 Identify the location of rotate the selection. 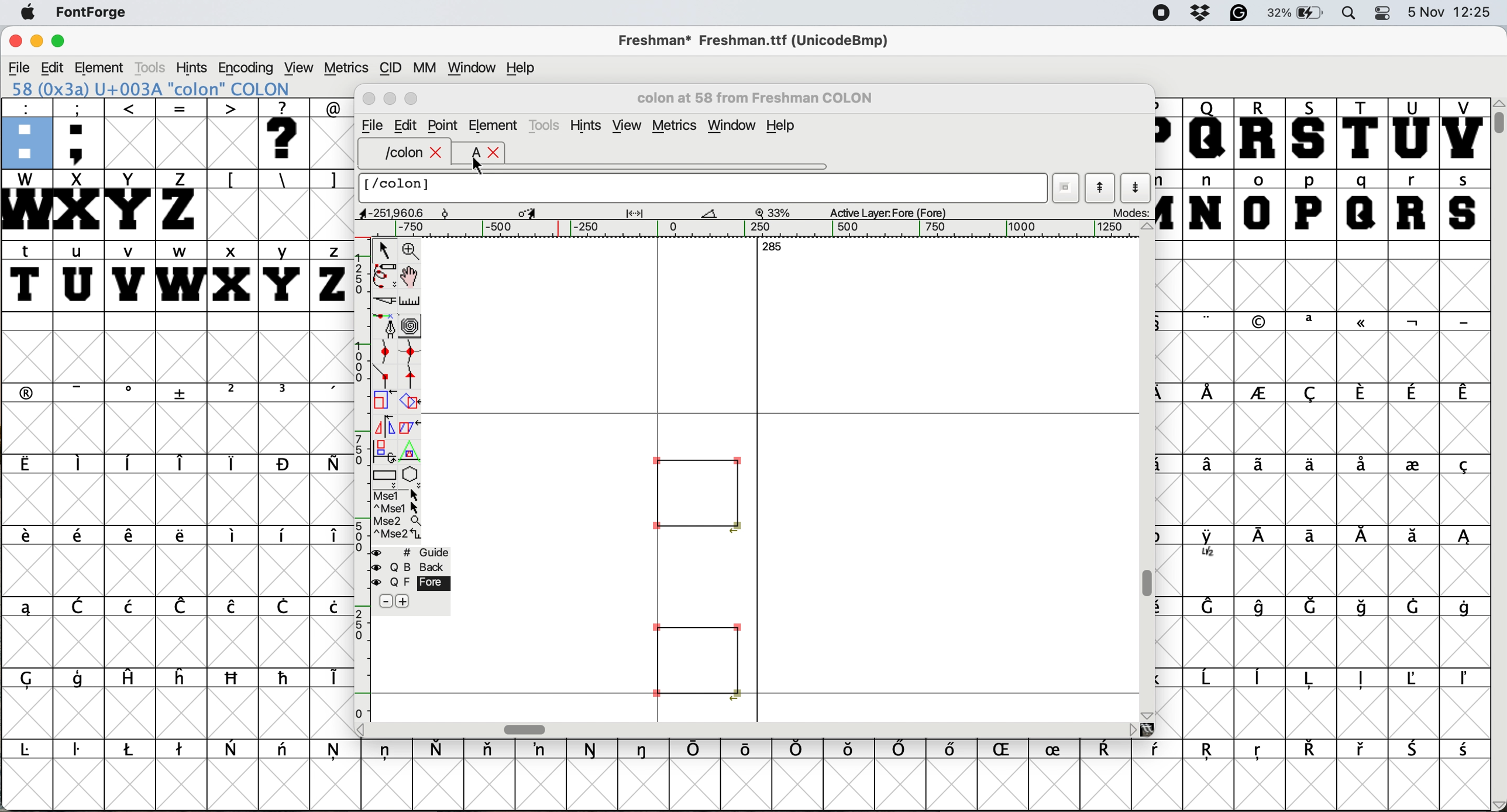
(412, 404).